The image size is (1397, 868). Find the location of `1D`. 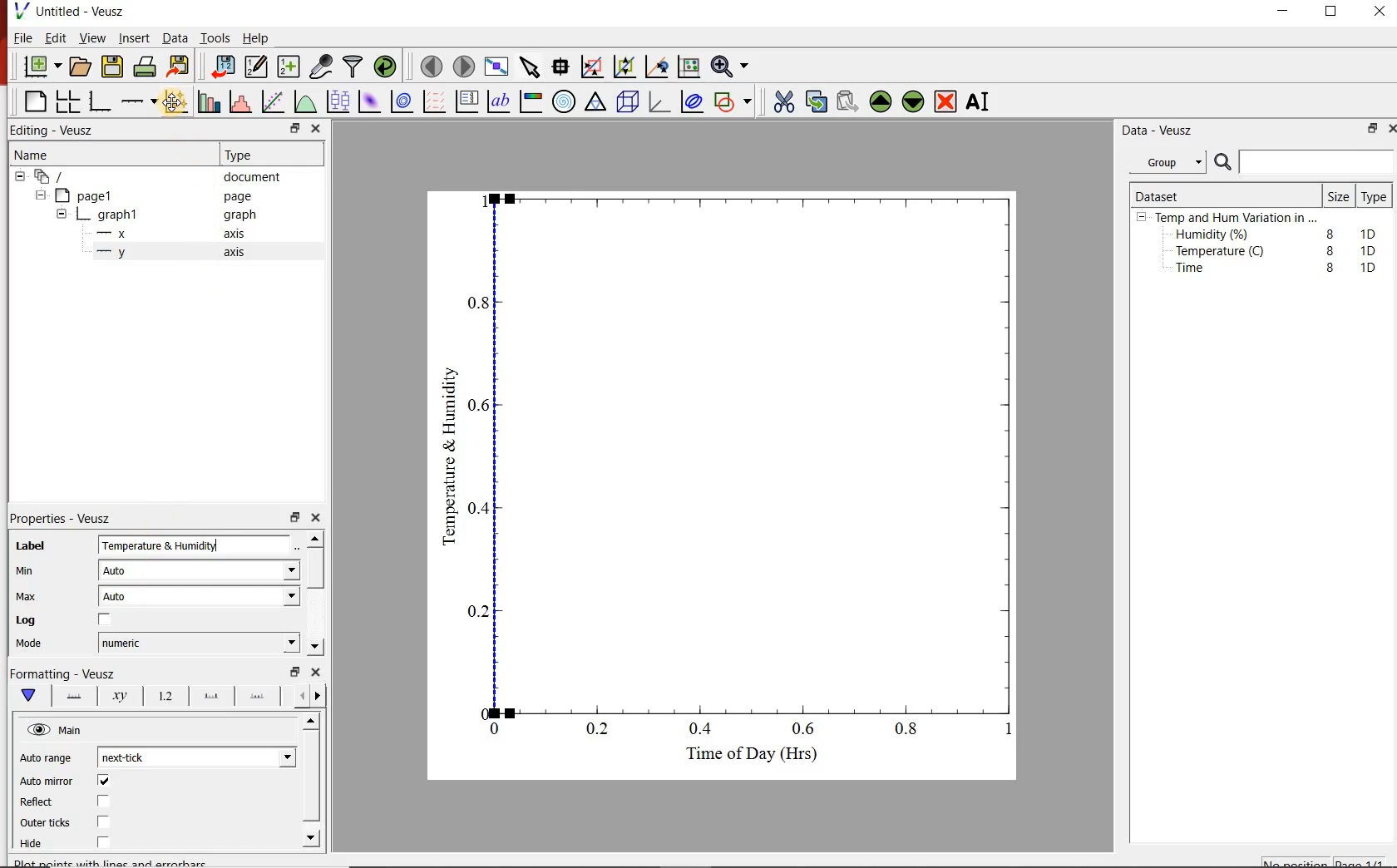

1D is located at coordinates (1372, 232).